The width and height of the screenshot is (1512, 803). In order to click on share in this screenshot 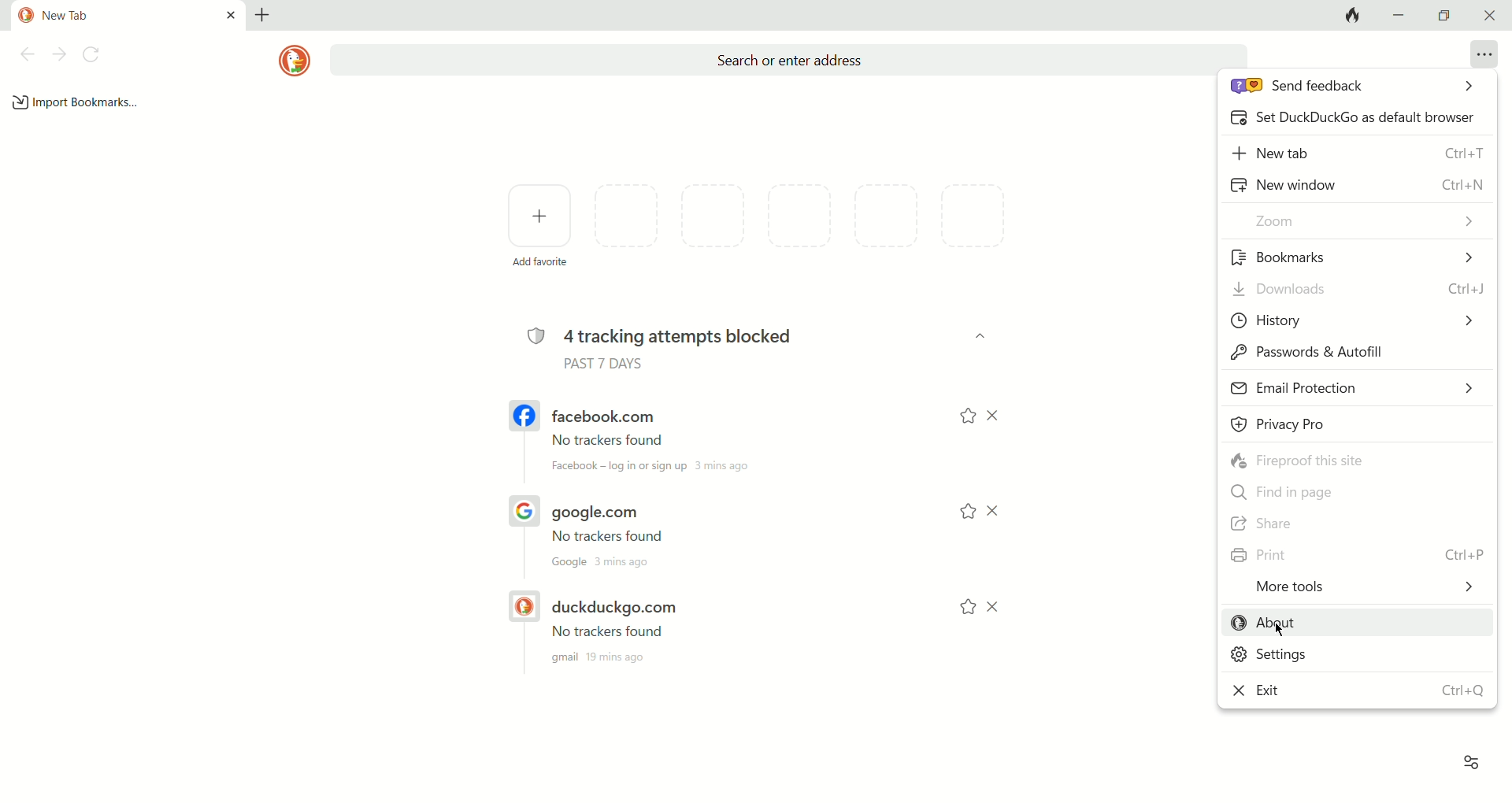, I will do `click(1348, 524)`.